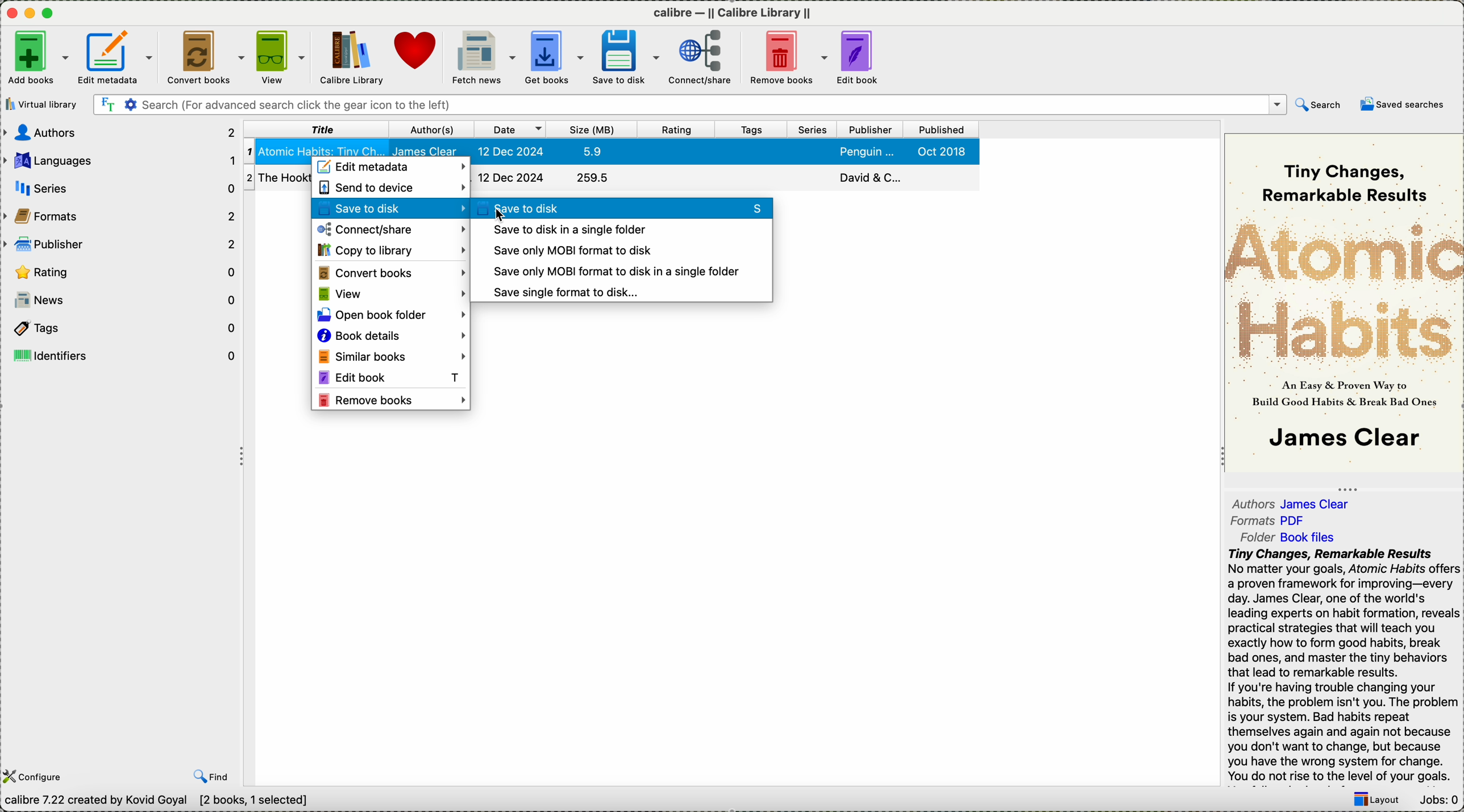 Image resolution: width=1464 pixels, height=812 pixels. What do you see at coordinates (390, 249) in the screenshot?
I see `copy to library` at bounding box center [390, 249].